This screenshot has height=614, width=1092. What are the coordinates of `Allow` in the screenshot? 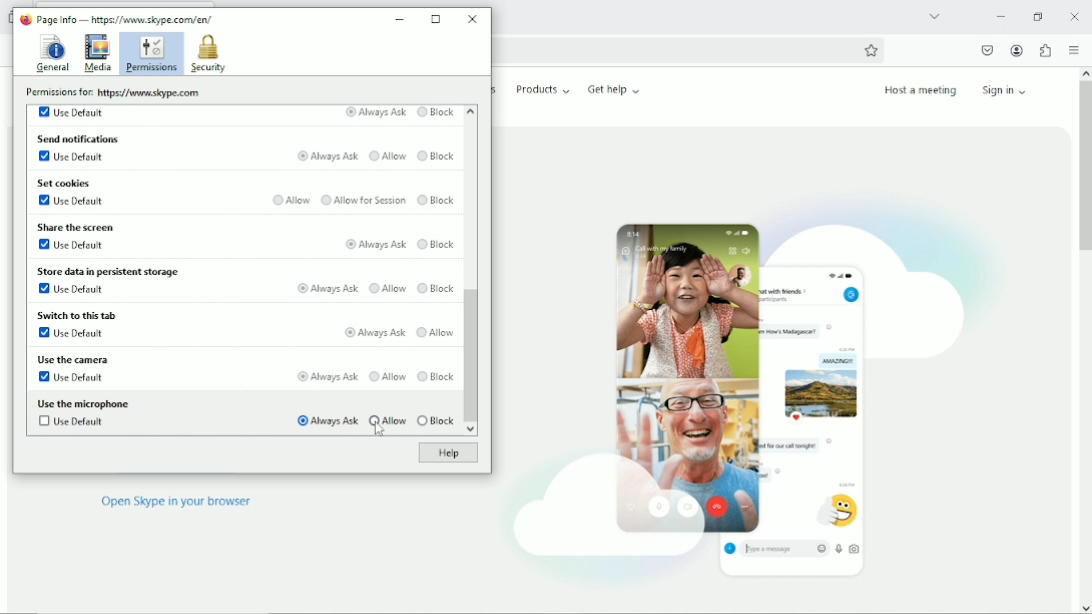 It's located at (292, 199).